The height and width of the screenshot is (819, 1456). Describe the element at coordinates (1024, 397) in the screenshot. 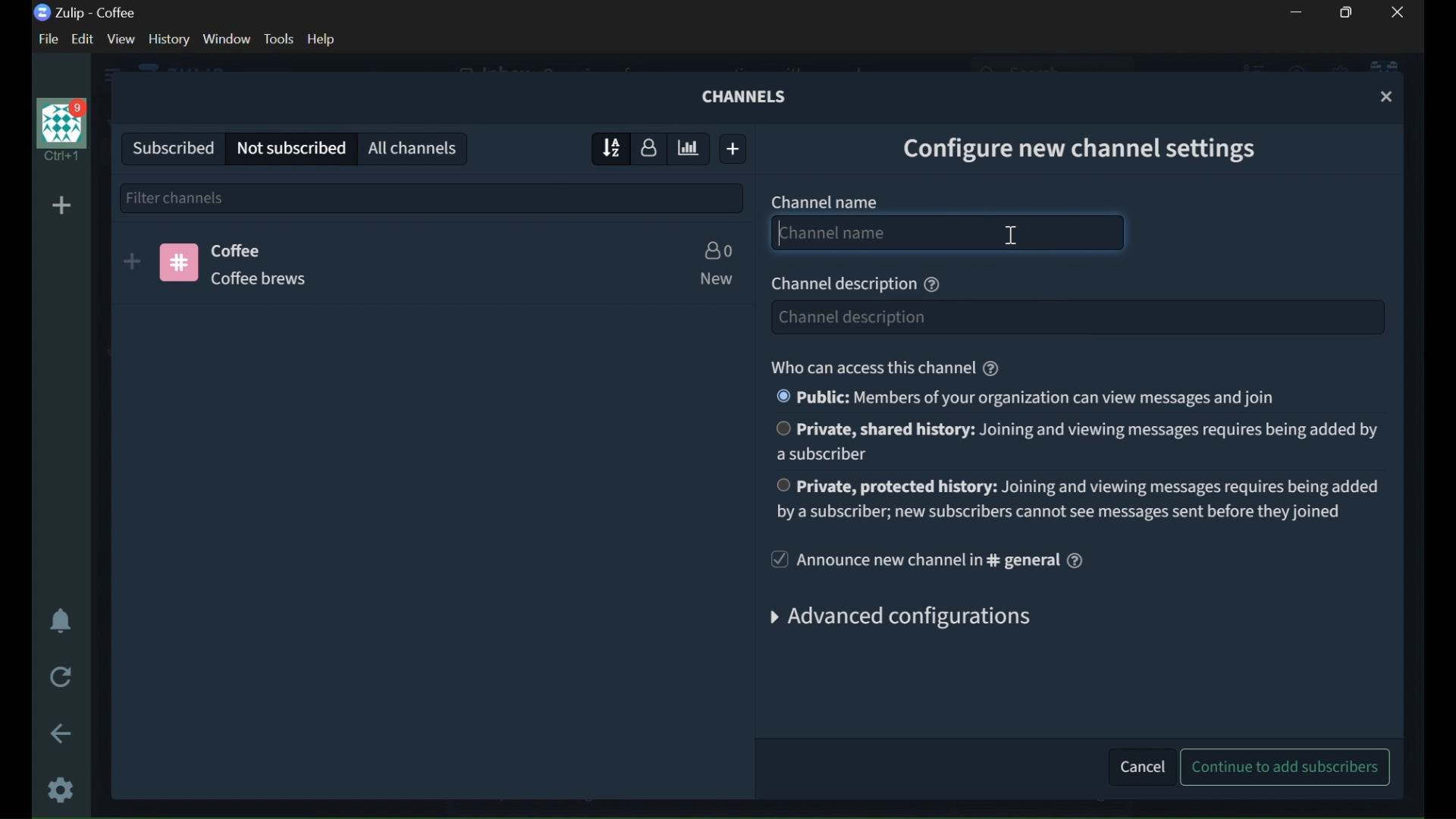

I see `public: Members of your organisation can view messages and join` at that location.